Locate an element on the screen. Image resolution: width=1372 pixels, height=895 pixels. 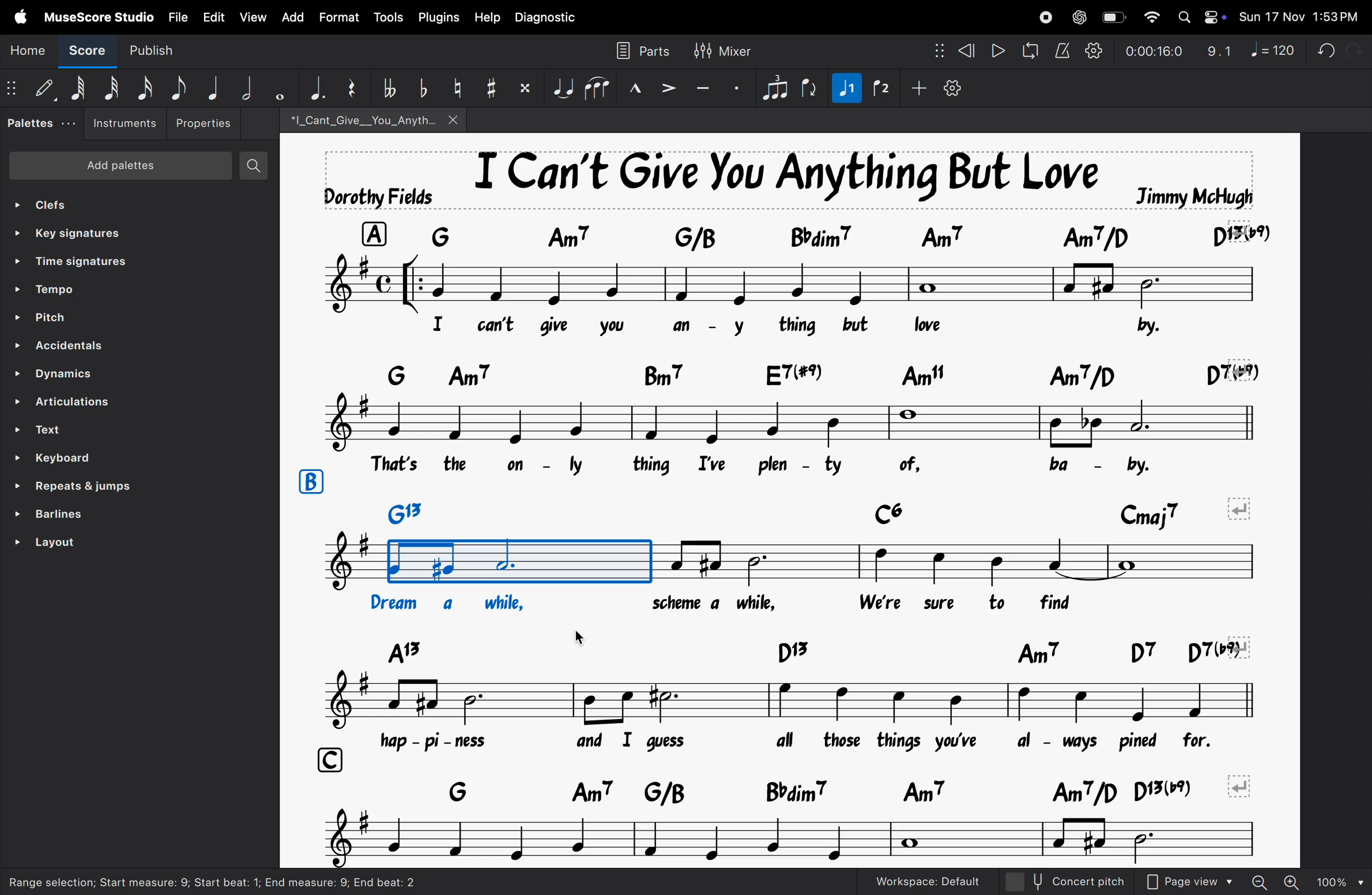
nodes is located at coordinates (933, 48).